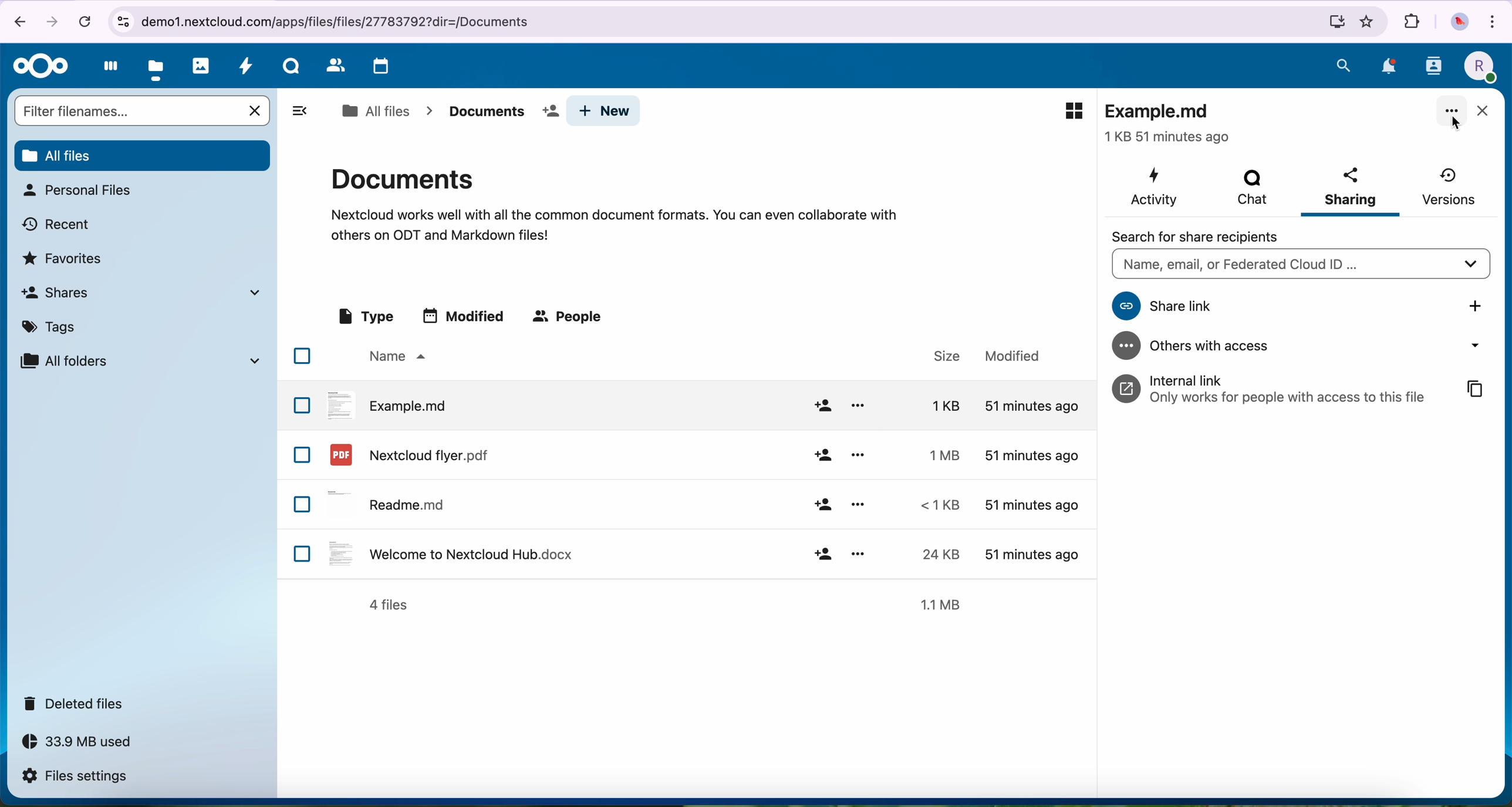 Image resolution: width=1512 pixels, height=807 pixels. What do you see at coordinates (127, 110) in the screenshot?
I see `search bar` at bounding box center [127, 110].